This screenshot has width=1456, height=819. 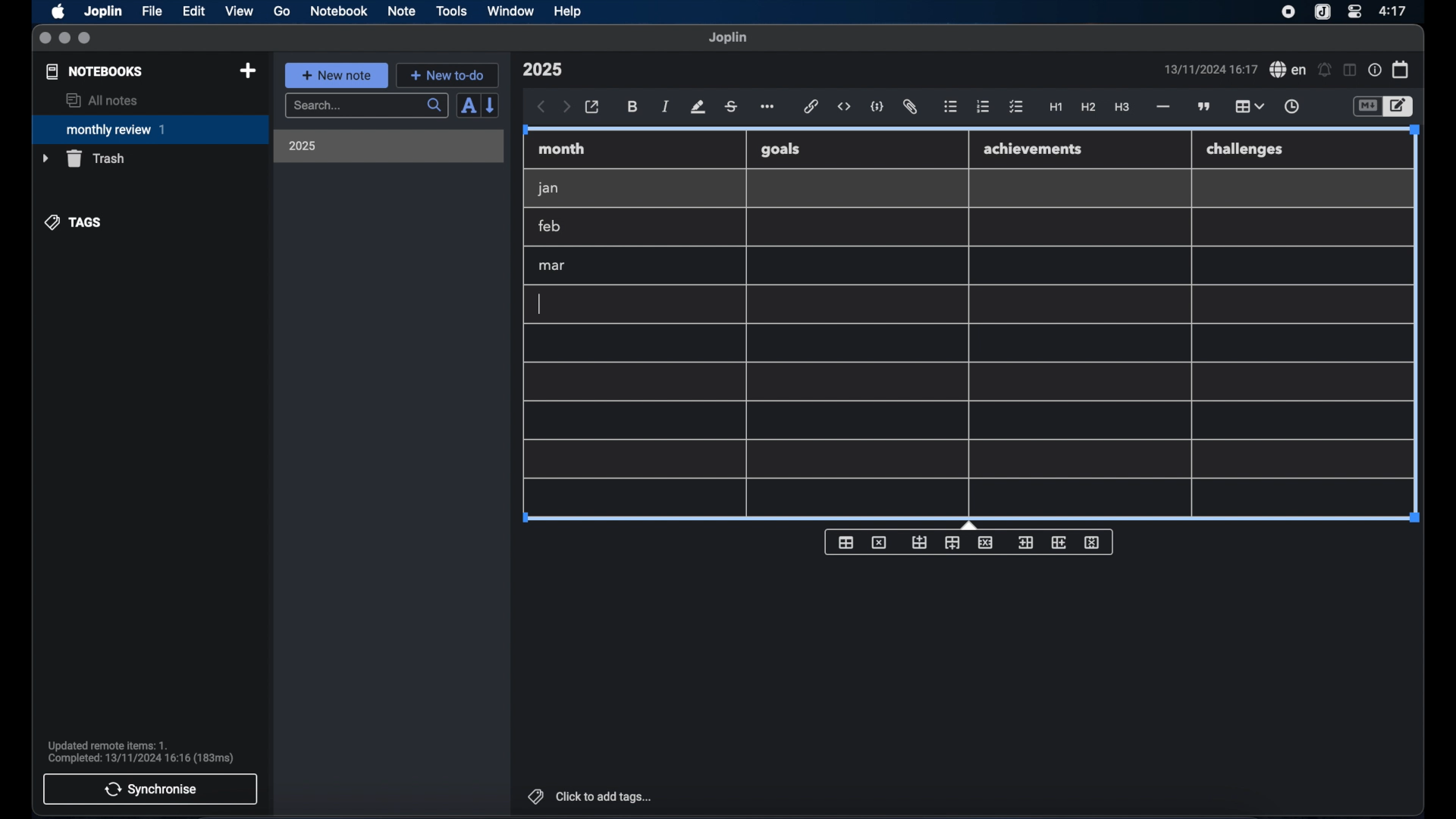 I want to click on date, so click(x=1210, y=69).